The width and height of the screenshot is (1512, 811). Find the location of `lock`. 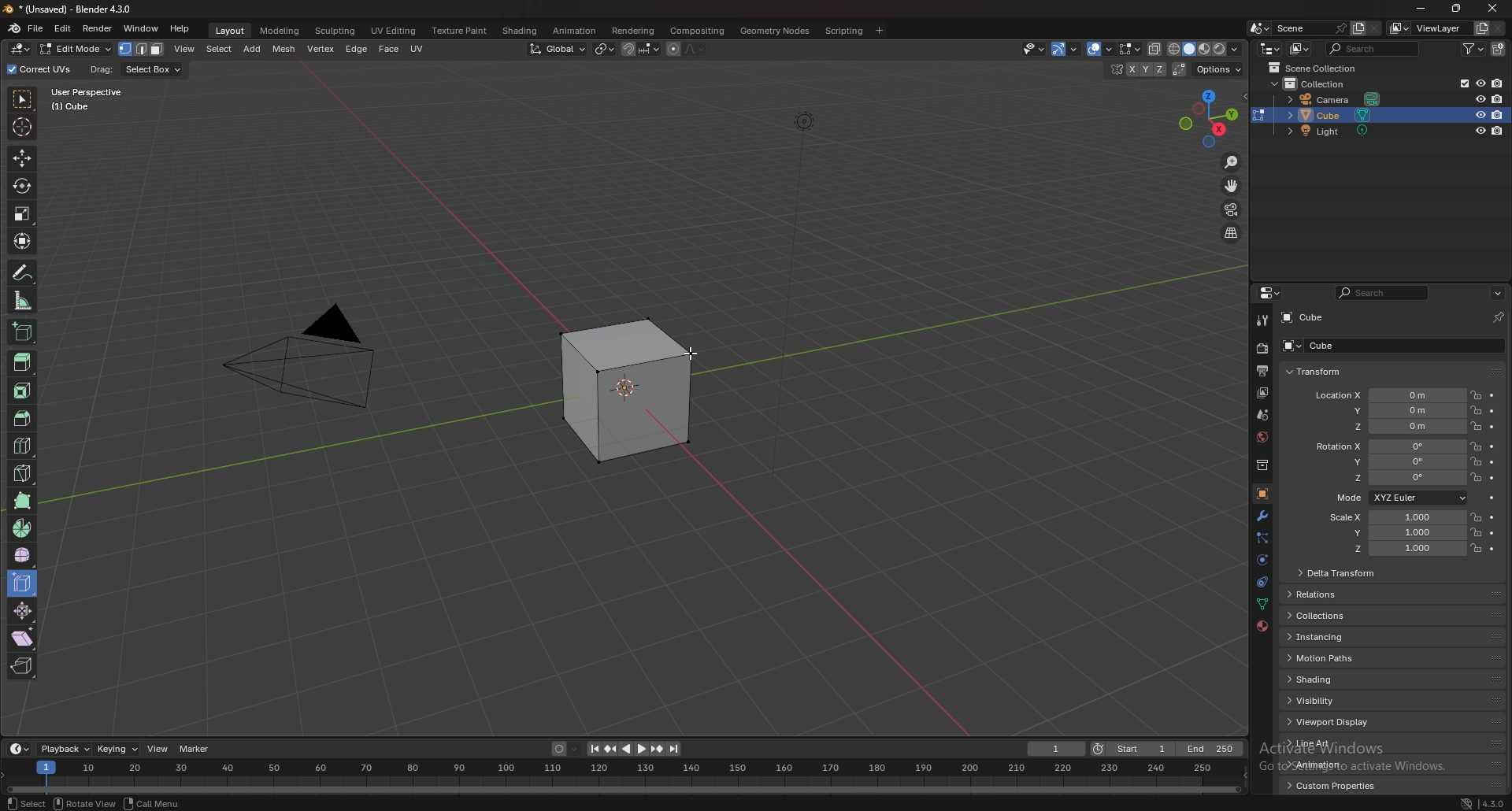

lock is located at coordinates (1476, 446).